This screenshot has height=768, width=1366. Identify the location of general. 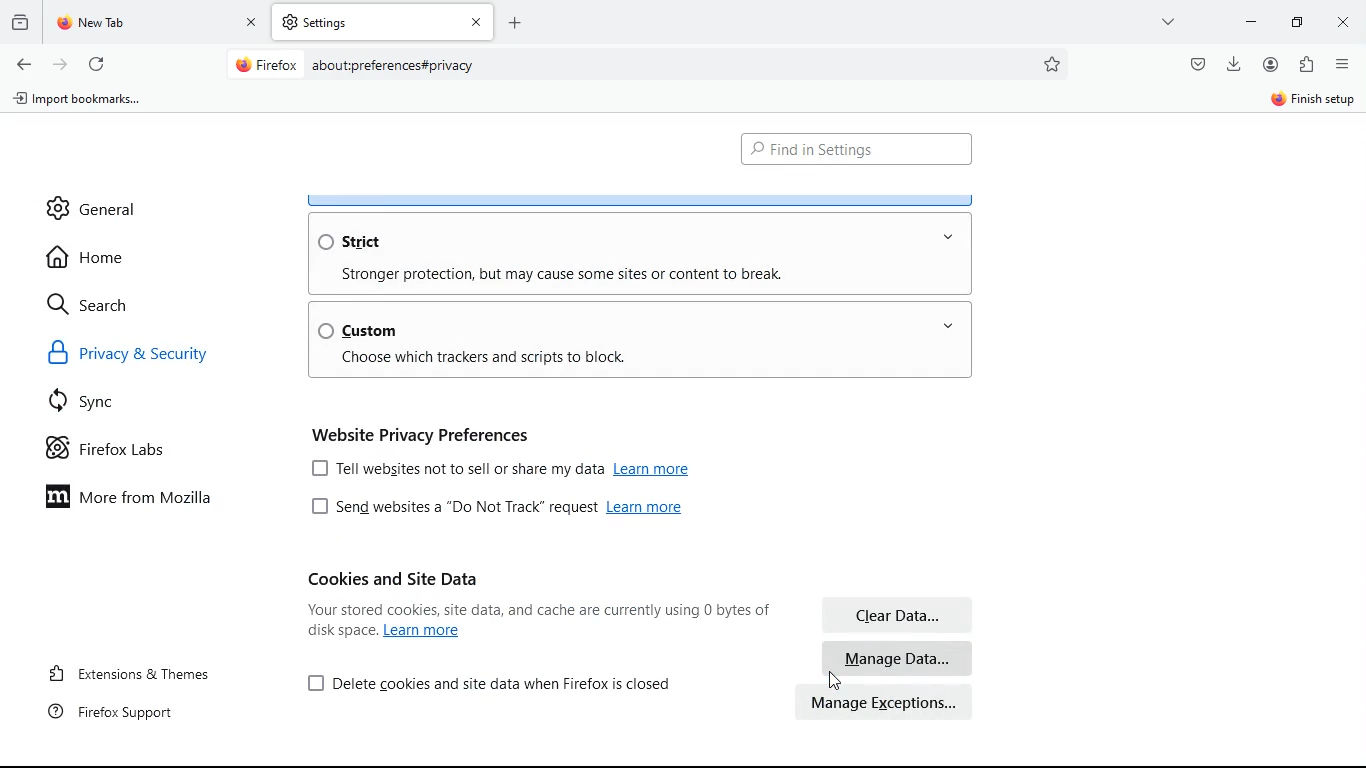
(93, 201).